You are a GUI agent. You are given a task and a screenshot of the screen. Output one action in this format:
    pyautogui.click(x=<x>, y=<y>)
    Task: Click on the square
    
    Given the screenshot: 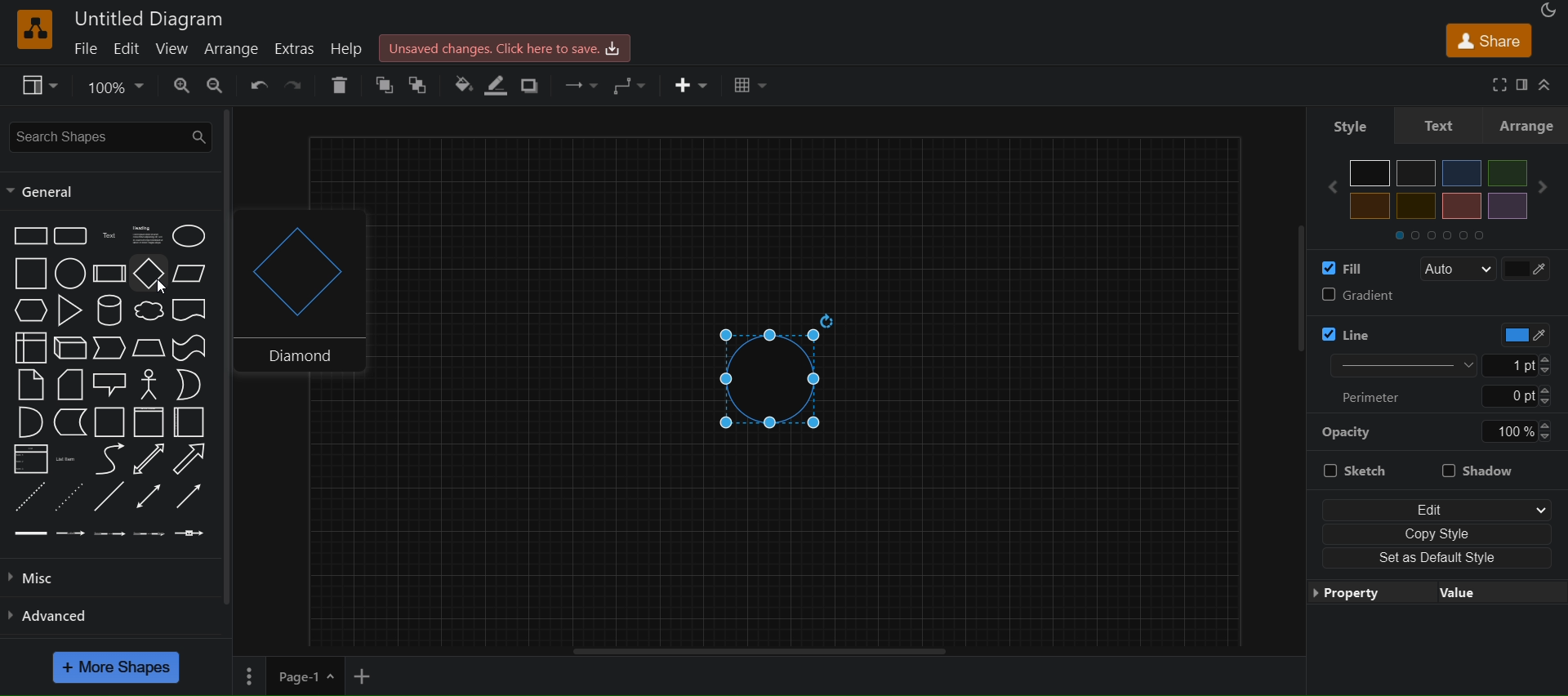 What is the action you would take?
    pyautogui.click(x=30, y=274)
    